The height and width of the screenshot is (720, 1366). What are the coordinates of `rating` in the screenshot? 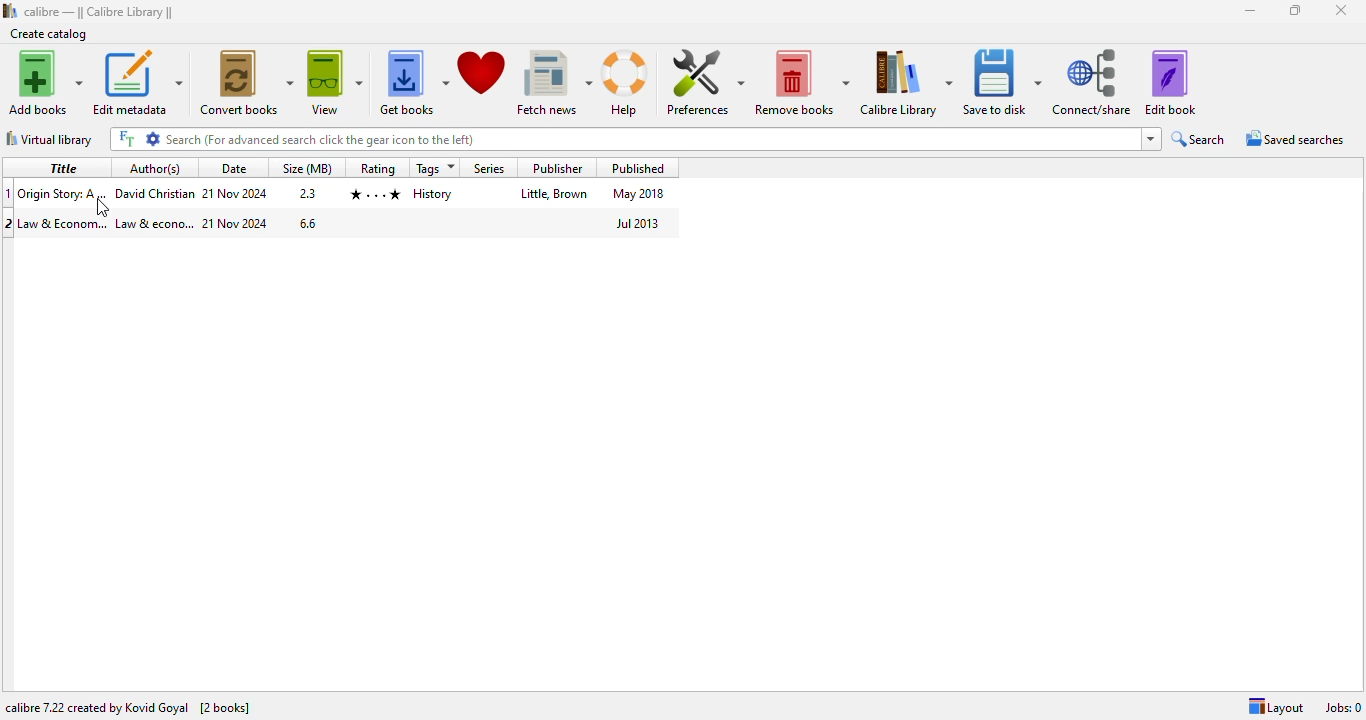 It's located at (377, 167).